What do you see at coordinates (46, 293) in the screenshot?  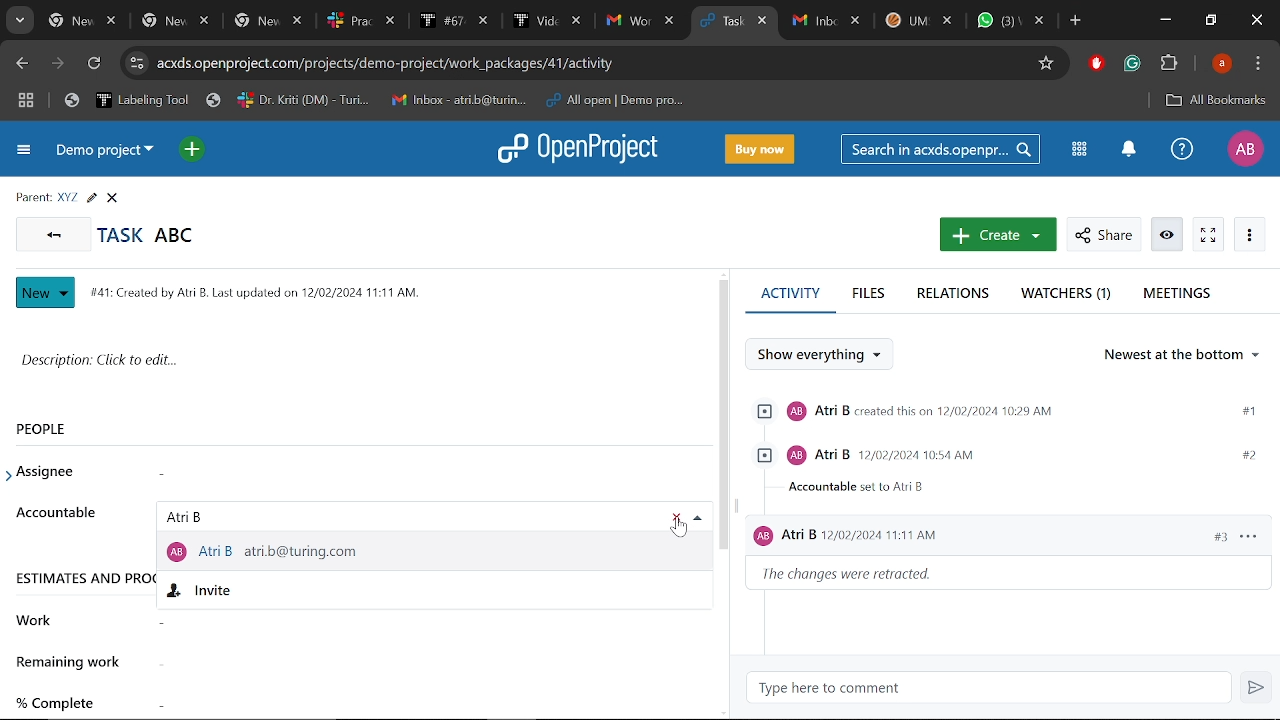 I see `New` at bounding box center [46, 293].